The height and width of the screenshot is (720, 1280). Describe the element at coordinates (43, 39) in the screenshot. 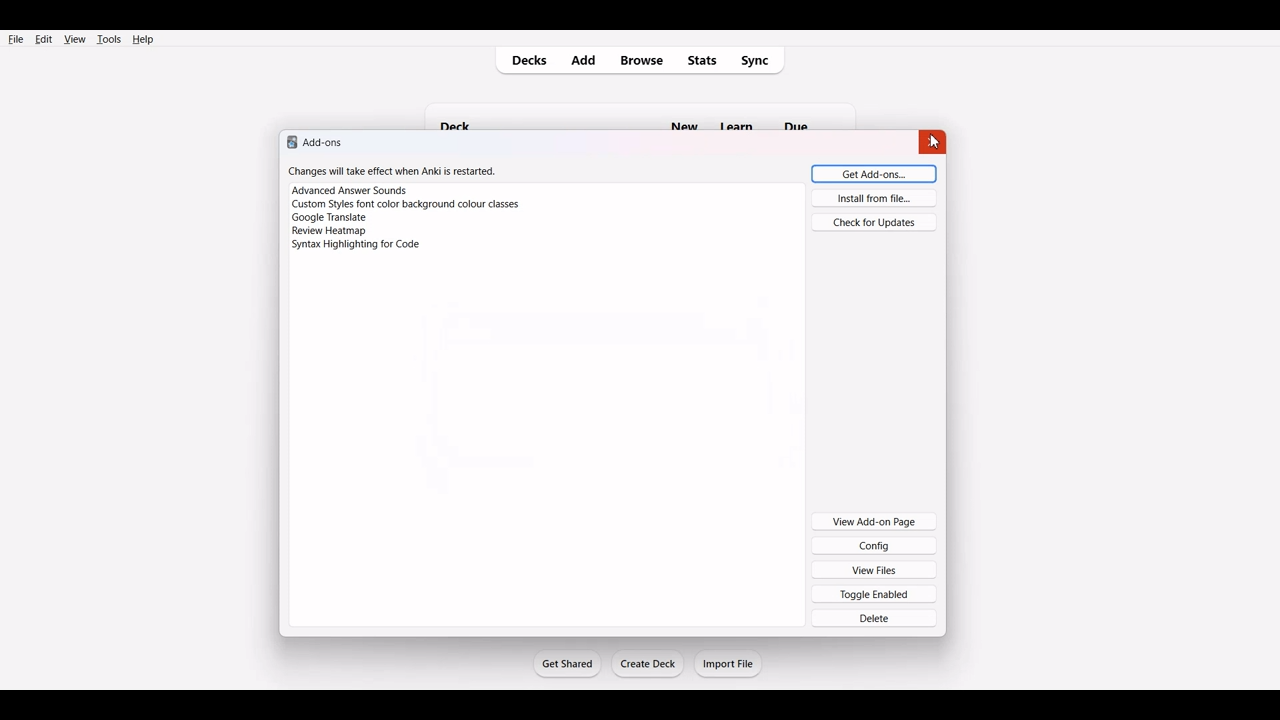

I see `Edit` at that location.